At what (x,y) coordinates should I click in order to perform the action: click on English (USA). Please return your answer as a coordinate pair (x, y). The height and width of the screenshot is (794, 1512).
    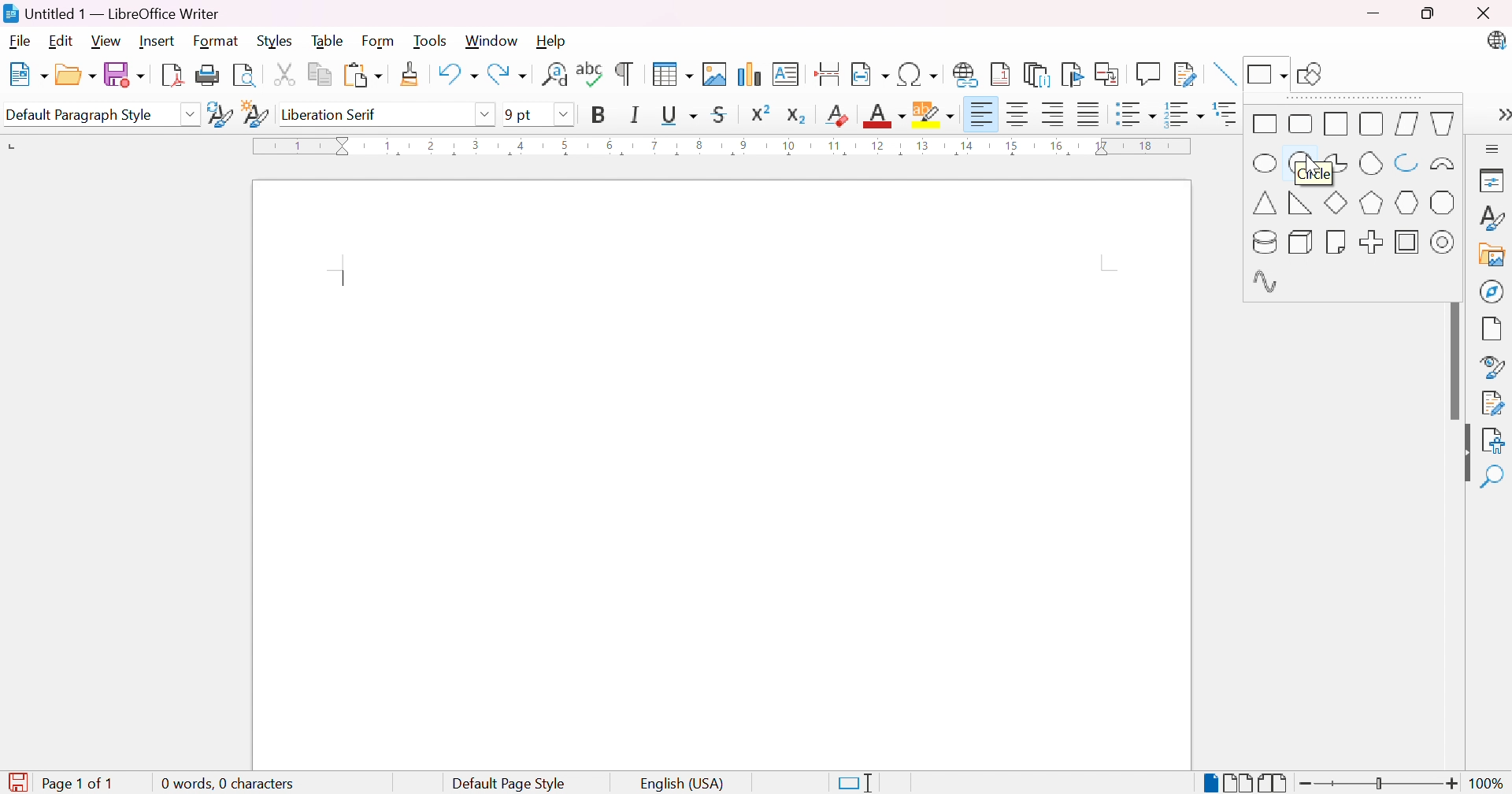
    Looking at the image, I should click on (683, 783).